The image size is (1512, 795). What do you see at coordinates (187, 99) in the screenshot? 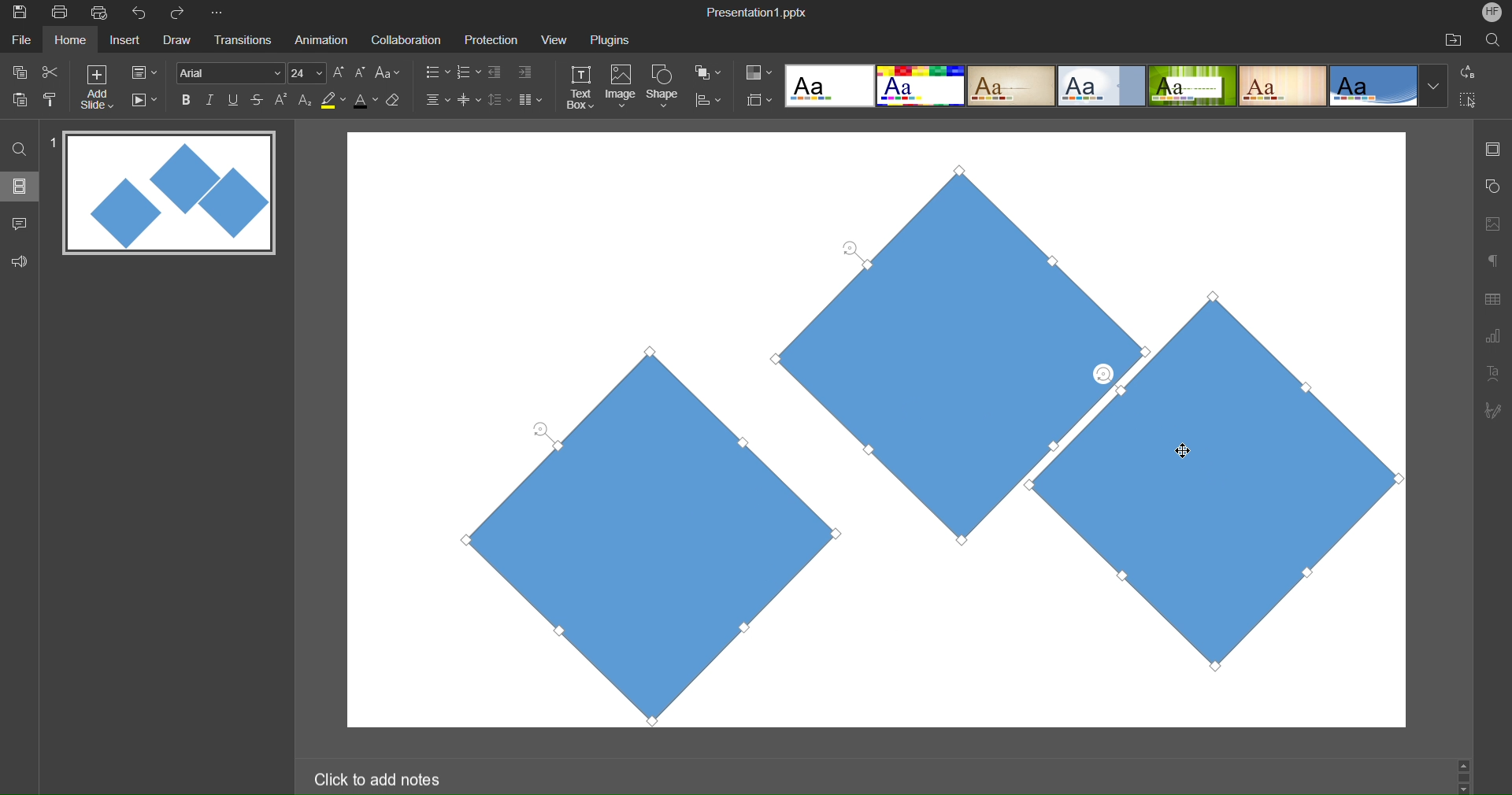
I see `Bold` at bounding box center [187, 99].